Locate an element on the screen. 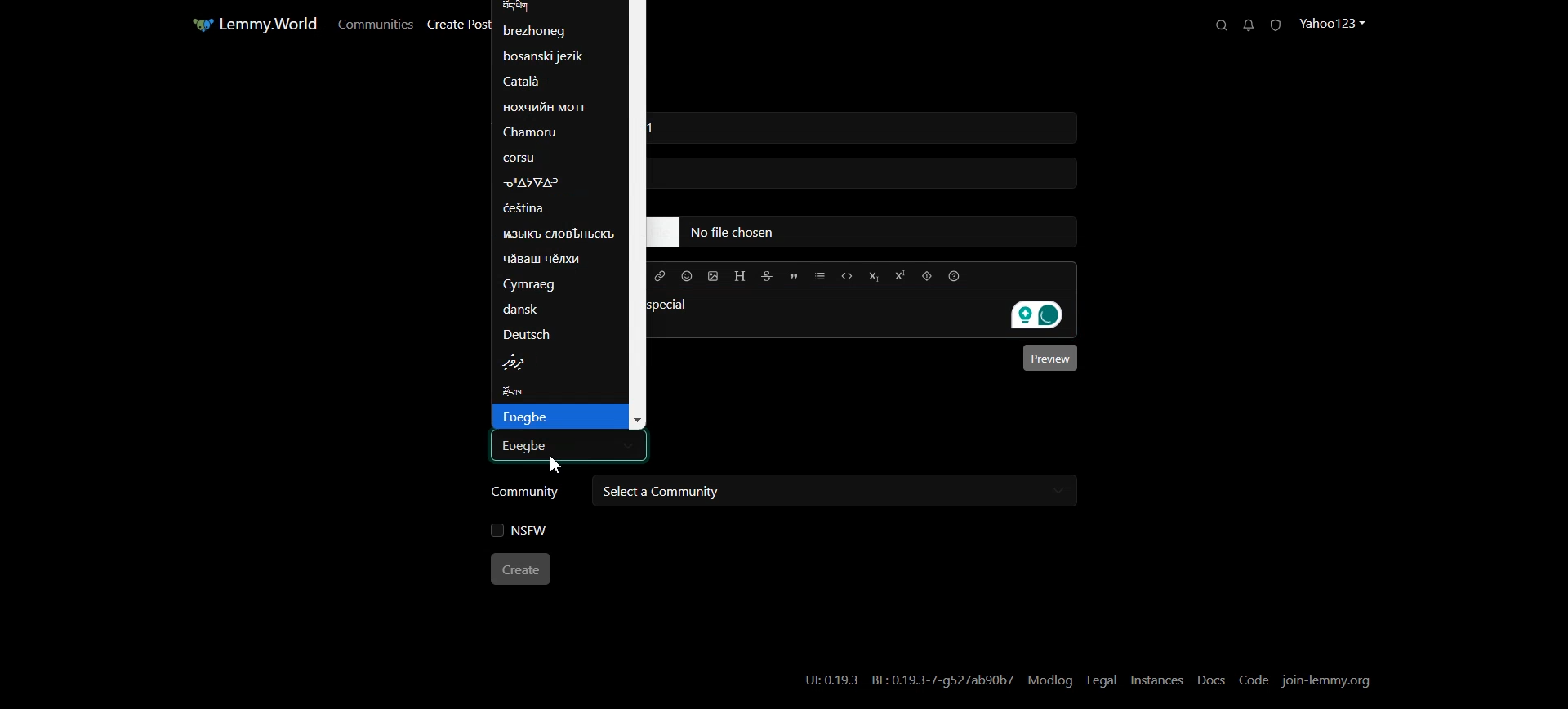  Search is located at coordinates (1217, 25).